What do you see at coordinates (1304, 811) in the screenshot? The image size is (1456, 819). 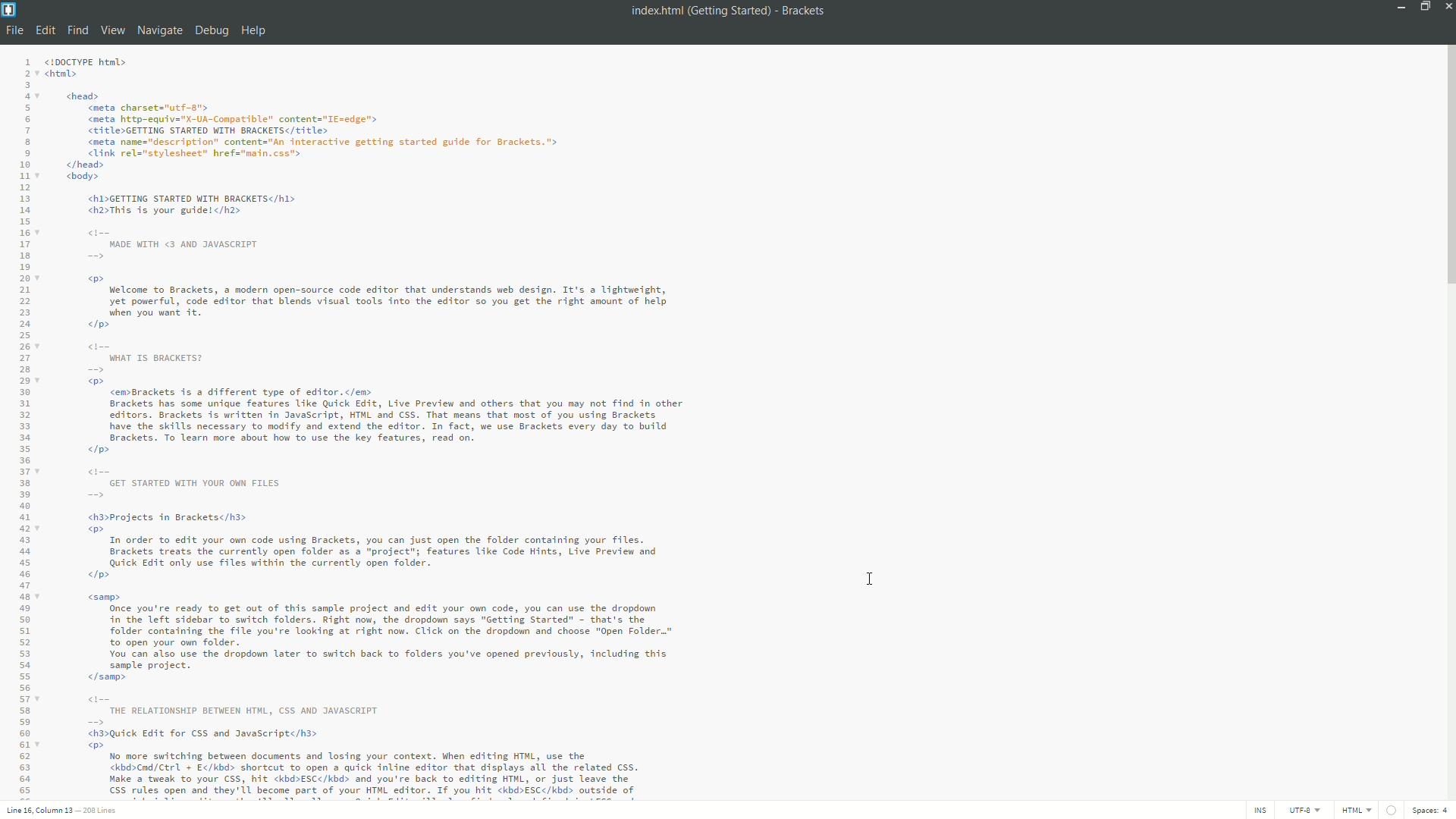 I see `file encoding` at bounding box center [1304, 811].